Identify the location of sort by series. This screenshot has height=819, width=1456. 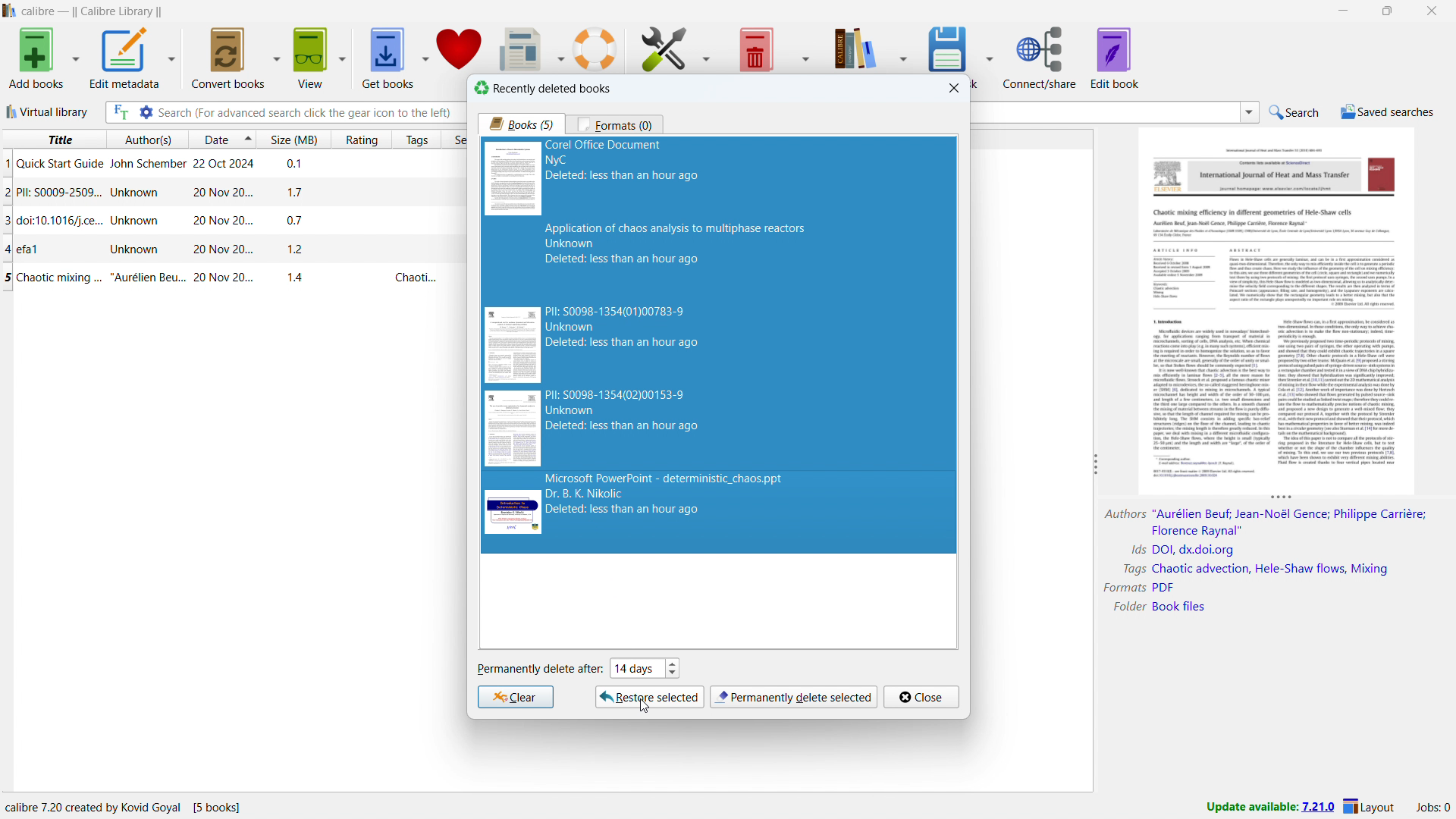
(455, 140).